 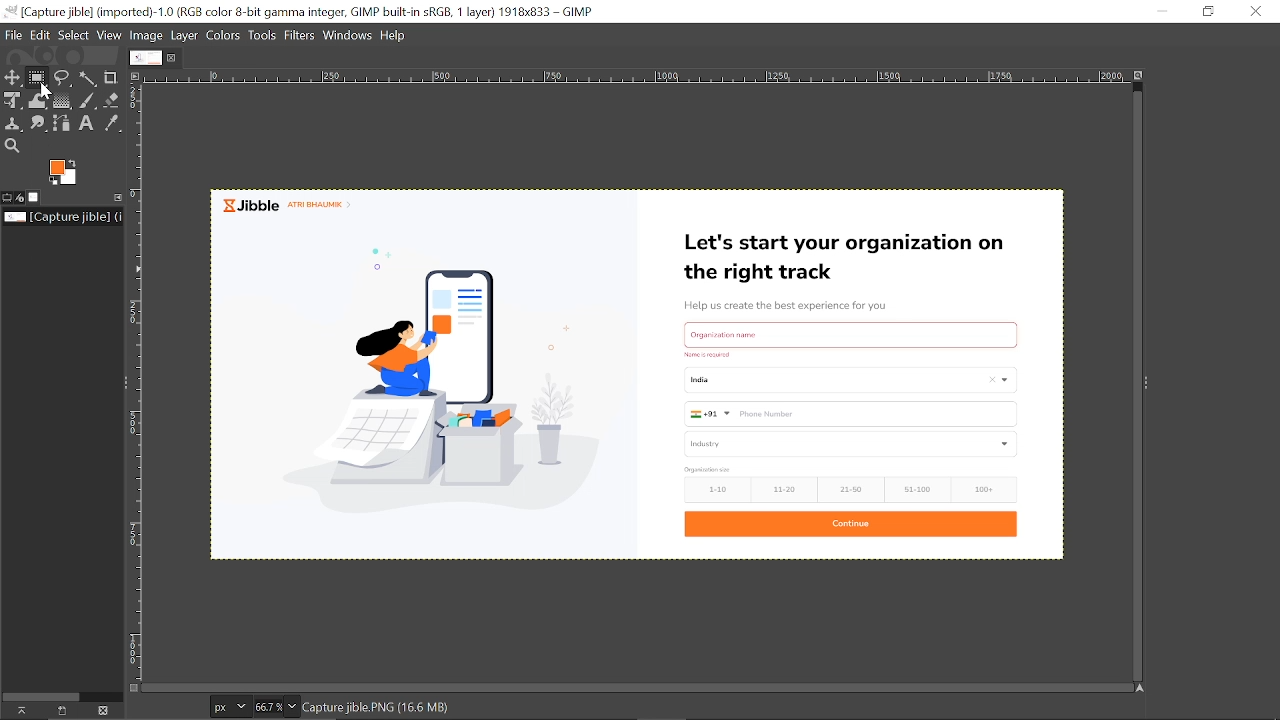 What do you see at coordinates (133, 686) in the screenshot?
I see `Toggle quick mask on/off` at bounding box center [133, 686].